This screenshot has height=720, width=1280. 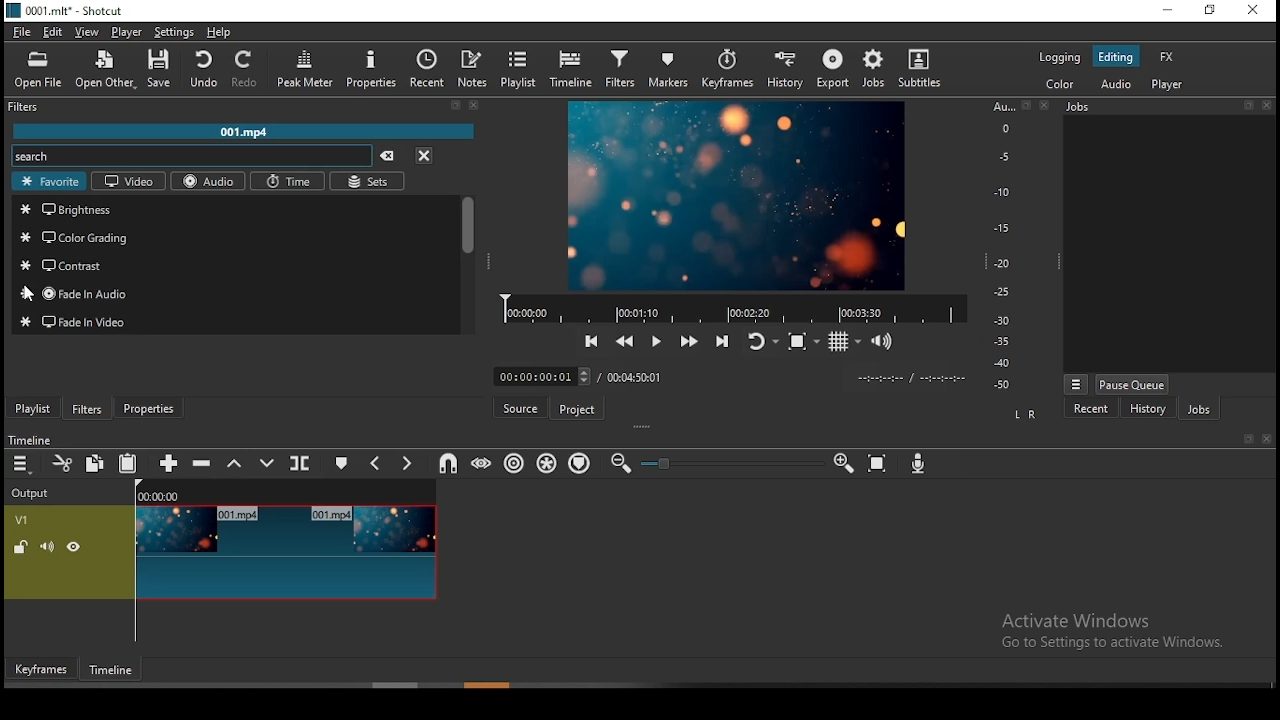 What do you see at coordinates (63, 463) in the screenshot?
I see `cut` at bounding box center [63, 463].